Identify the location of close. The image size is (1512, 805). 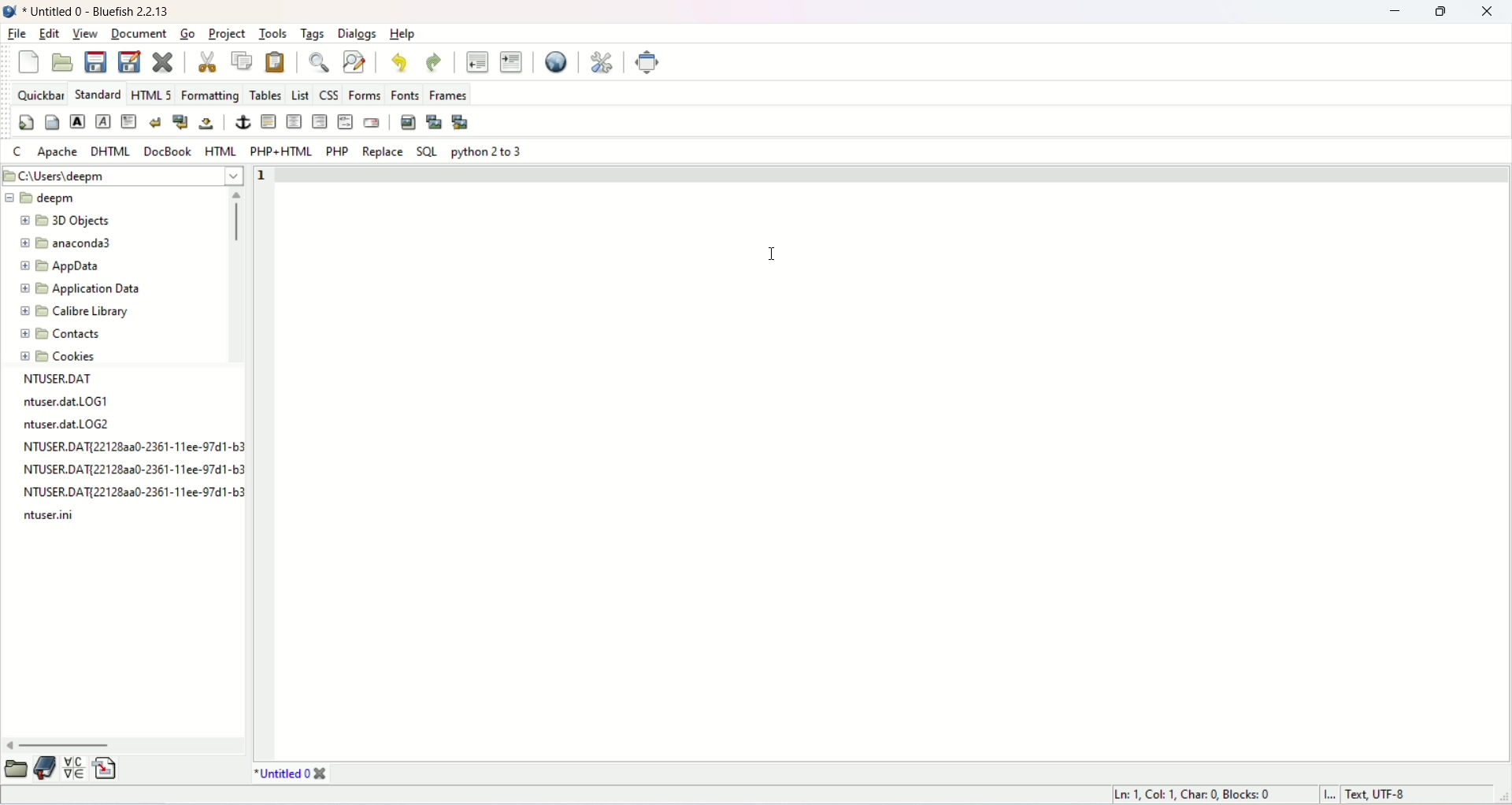
(1489, 15).